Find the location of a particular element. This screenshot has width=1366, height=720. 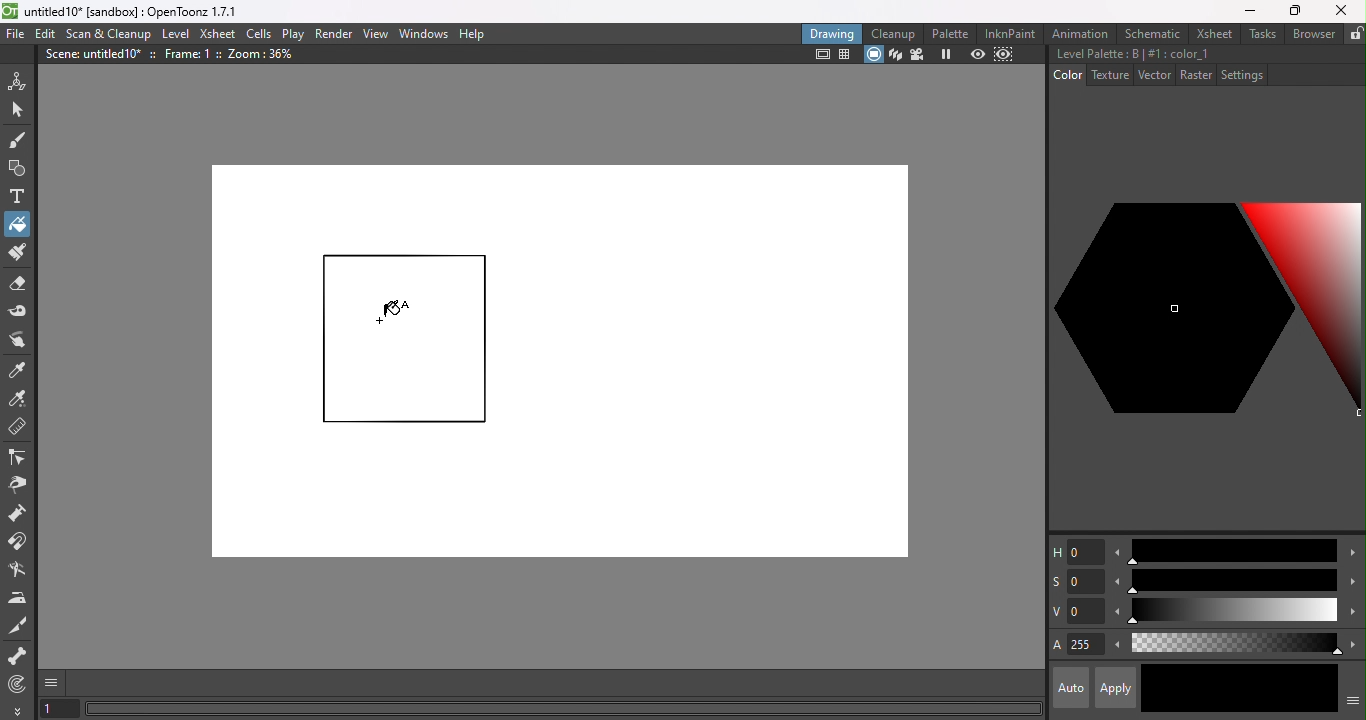

Edit is located at coordinates (43, 35).